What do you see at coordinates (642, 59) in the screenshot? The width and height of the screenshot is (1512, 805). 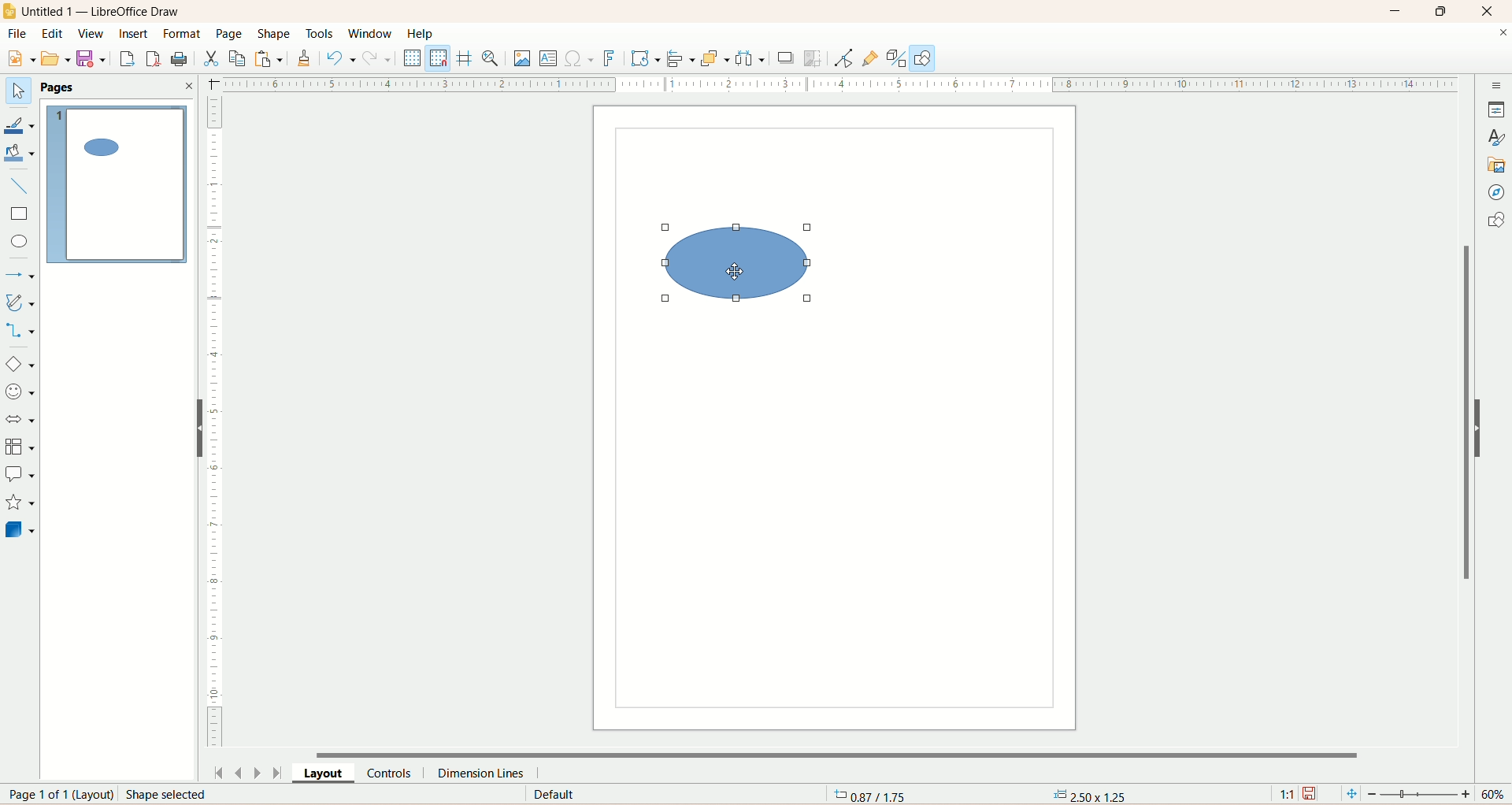 I see `transform` at bounding box center [642, 59].